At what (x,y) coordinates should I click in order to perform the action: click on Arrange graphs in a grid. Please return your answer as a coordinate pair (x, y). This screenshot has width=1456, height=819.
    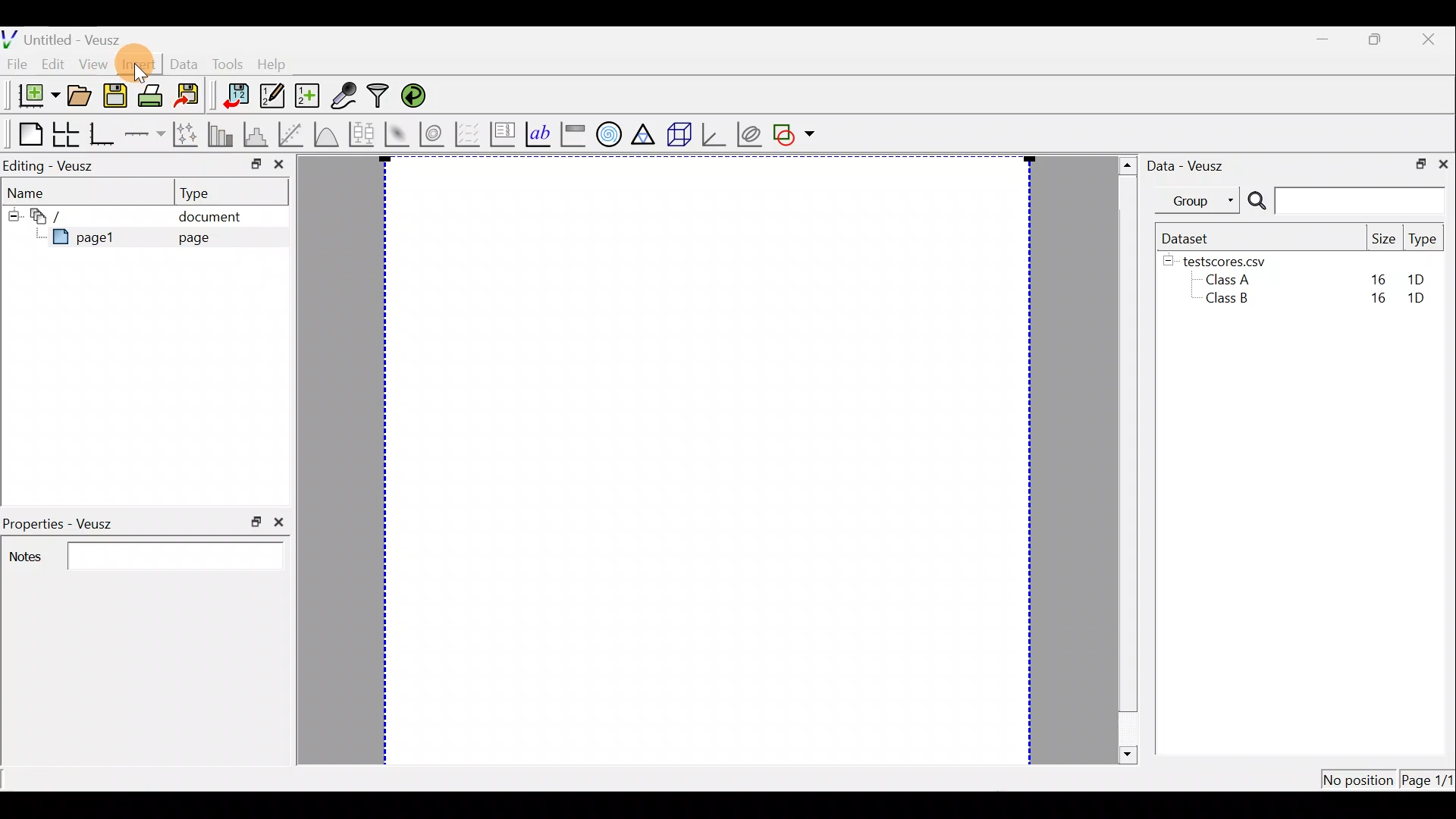
    Looking at the image, I should click on (67, 134).